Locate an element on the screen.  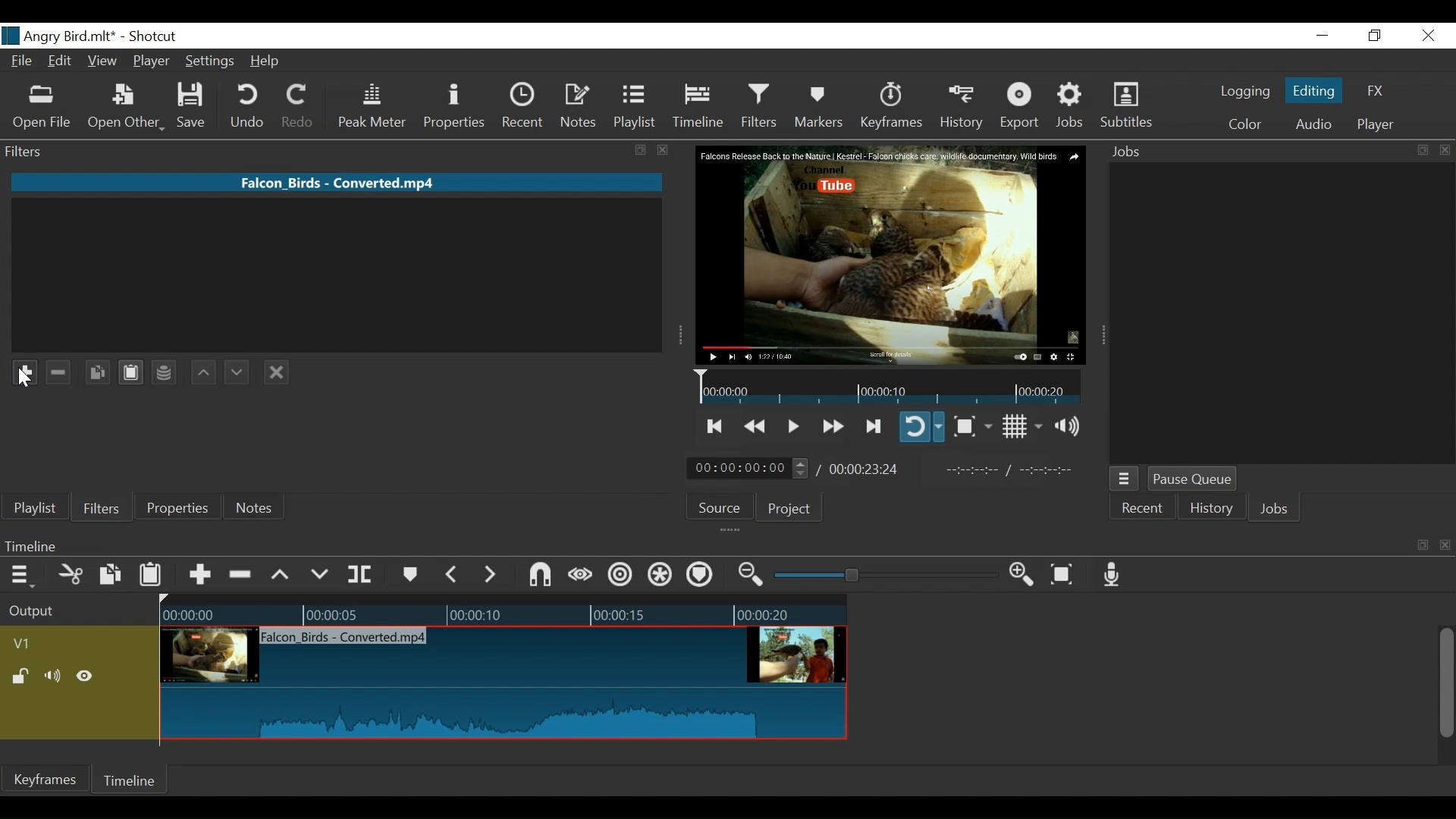
Save Filter set is located at coordinates (165, 372).